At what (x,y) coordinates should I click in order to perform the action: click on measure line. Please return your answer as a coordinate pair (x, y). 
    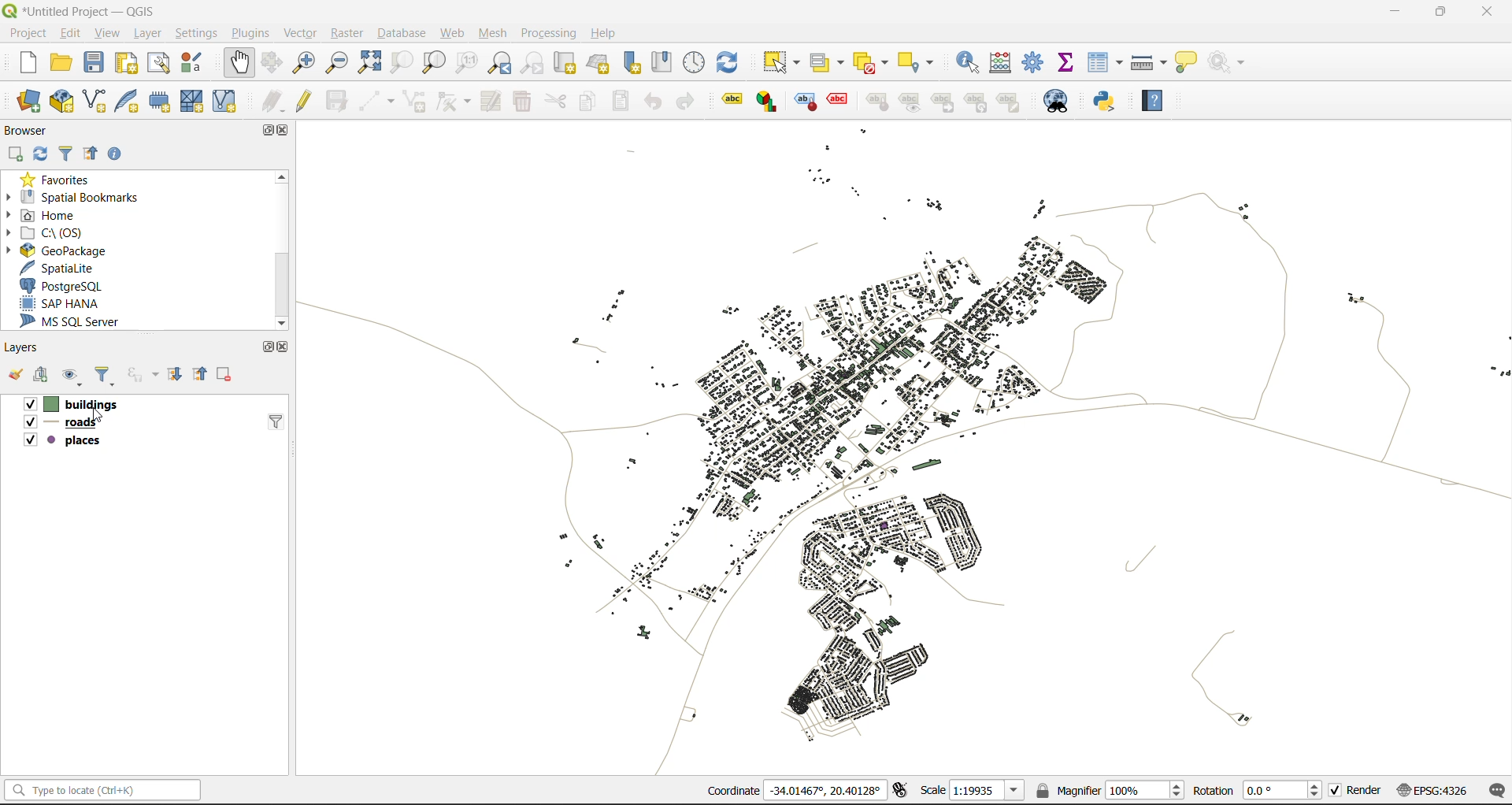
    Looking at the image, I should click on (1148, 65).